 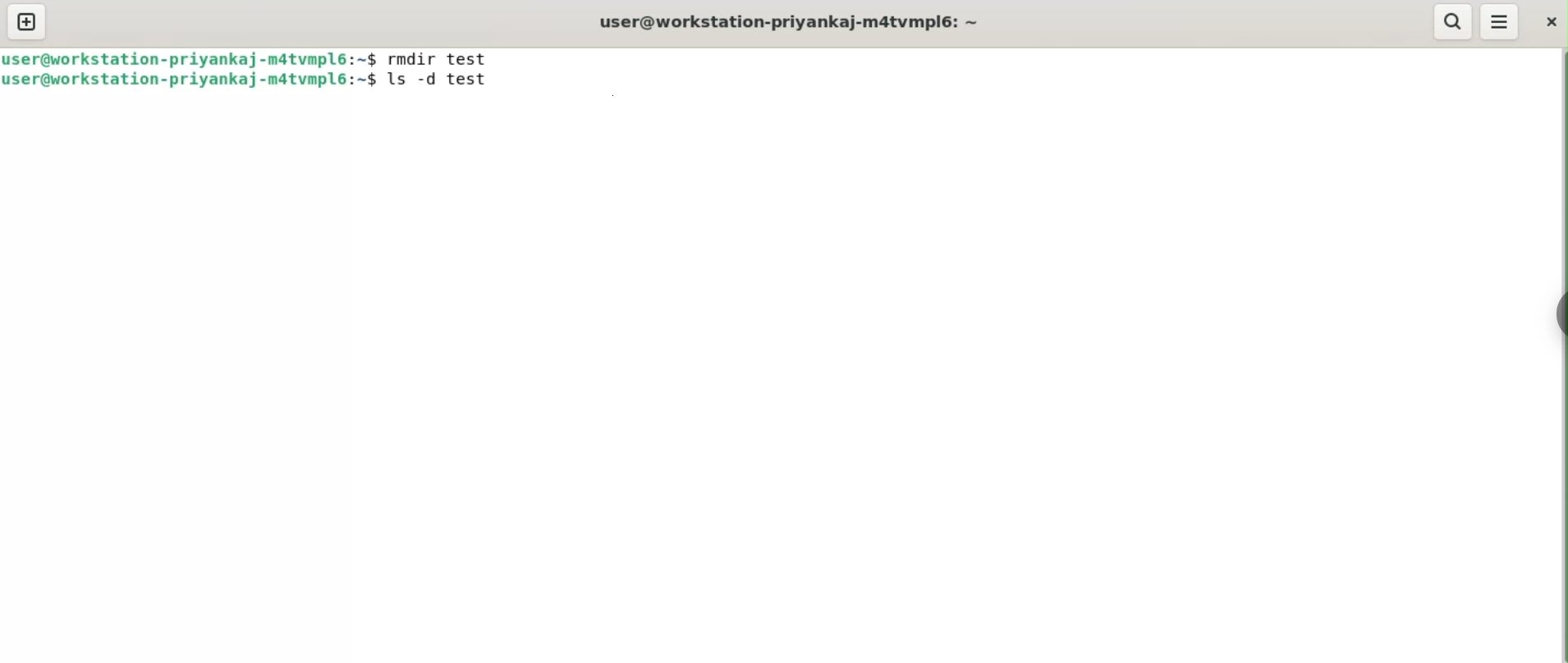 What do you see at coordinates (1499, 22) in the screenshot?
I see `menu` at bounding box center [1499, 22].